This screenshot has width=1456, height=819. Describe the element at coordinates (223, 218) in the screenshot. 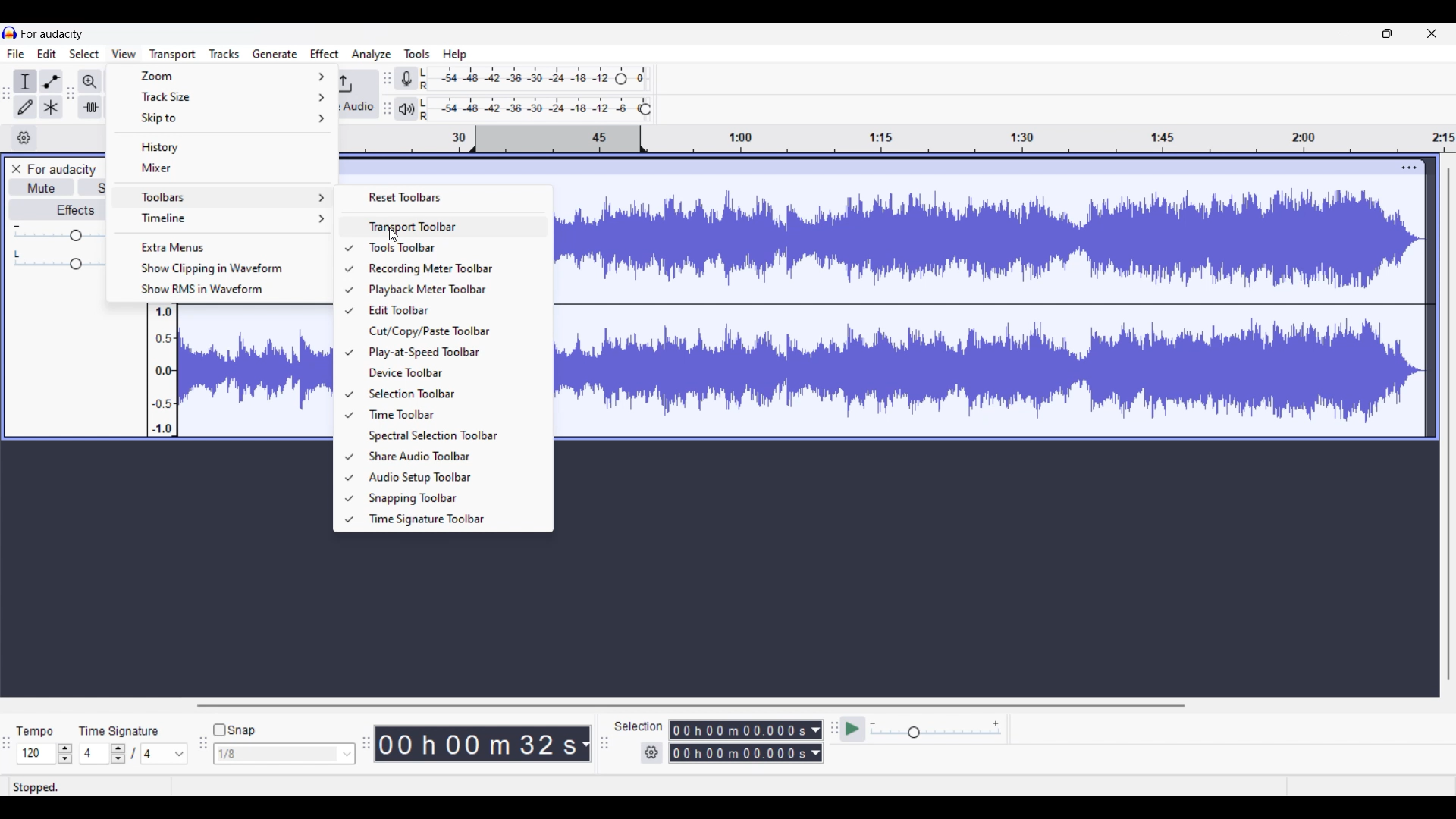

I see `Timeline options` at that location.